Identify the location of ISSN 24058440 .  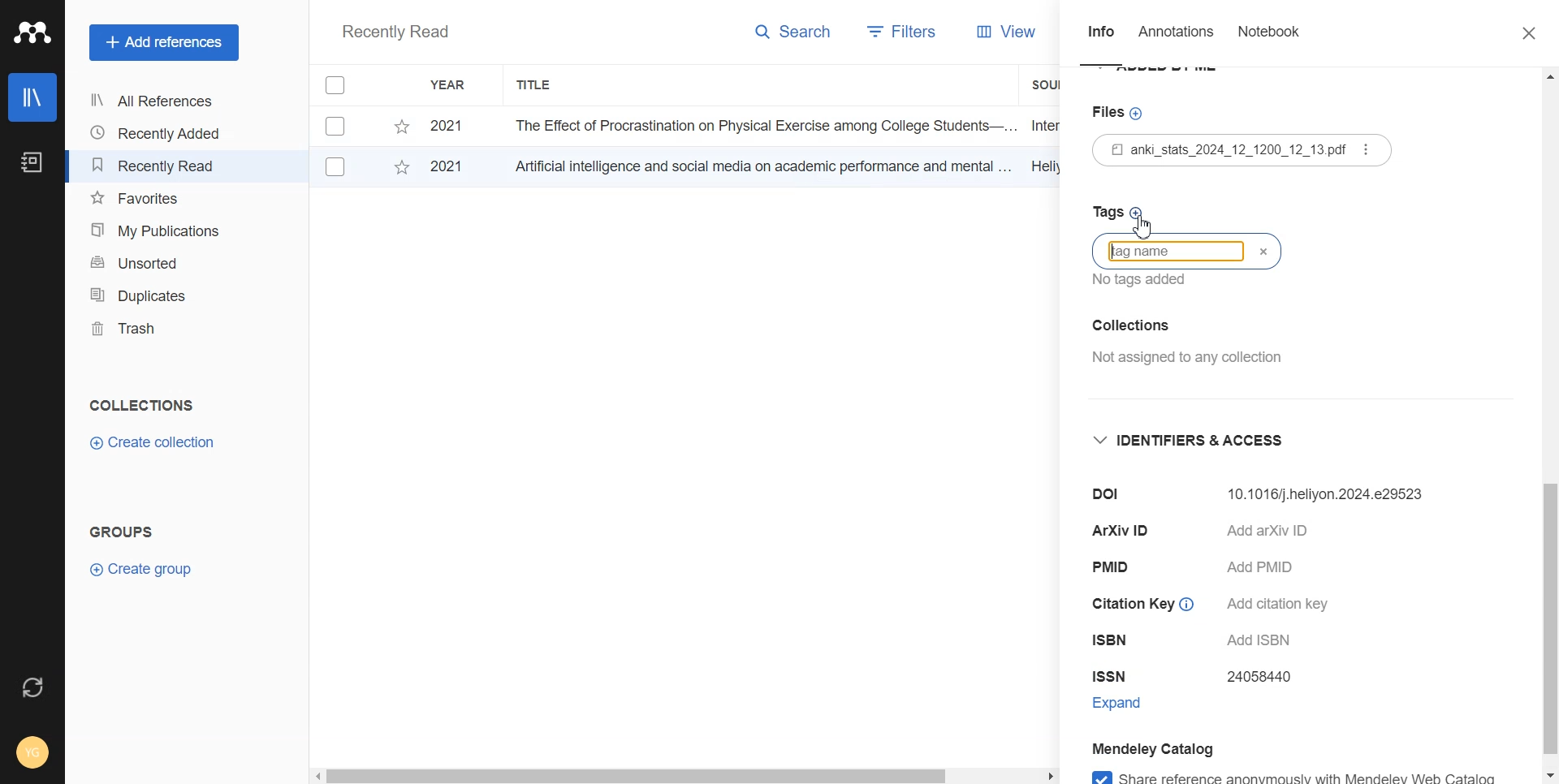
(1198, 678).